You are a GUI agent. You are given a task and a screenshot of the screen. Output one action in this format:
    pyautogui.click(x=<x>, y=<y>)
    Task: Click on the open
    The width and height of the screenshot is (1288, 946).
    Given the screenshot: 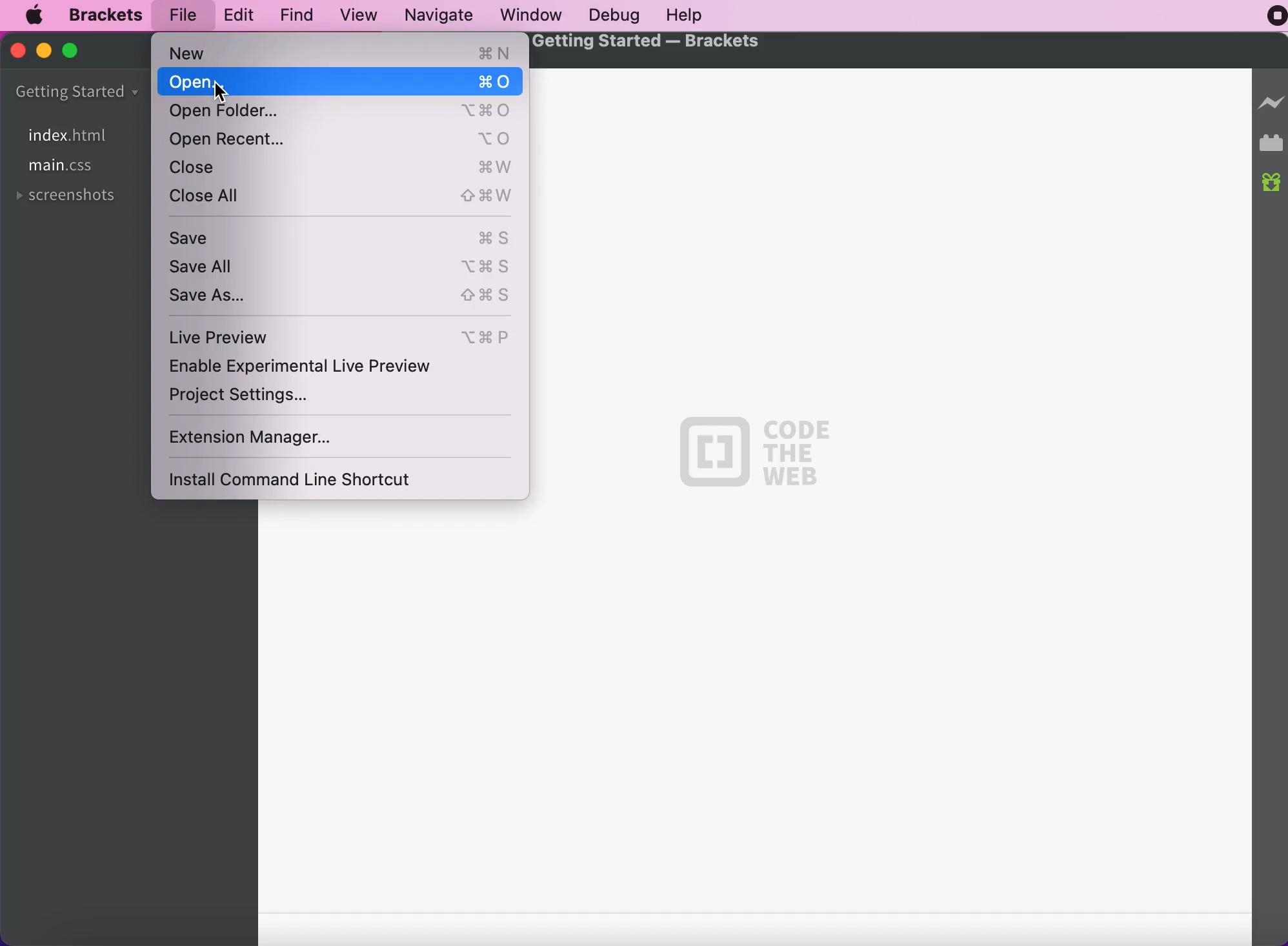 What is the action you would take?
    pyautogui.click(x=342, y=83)
    